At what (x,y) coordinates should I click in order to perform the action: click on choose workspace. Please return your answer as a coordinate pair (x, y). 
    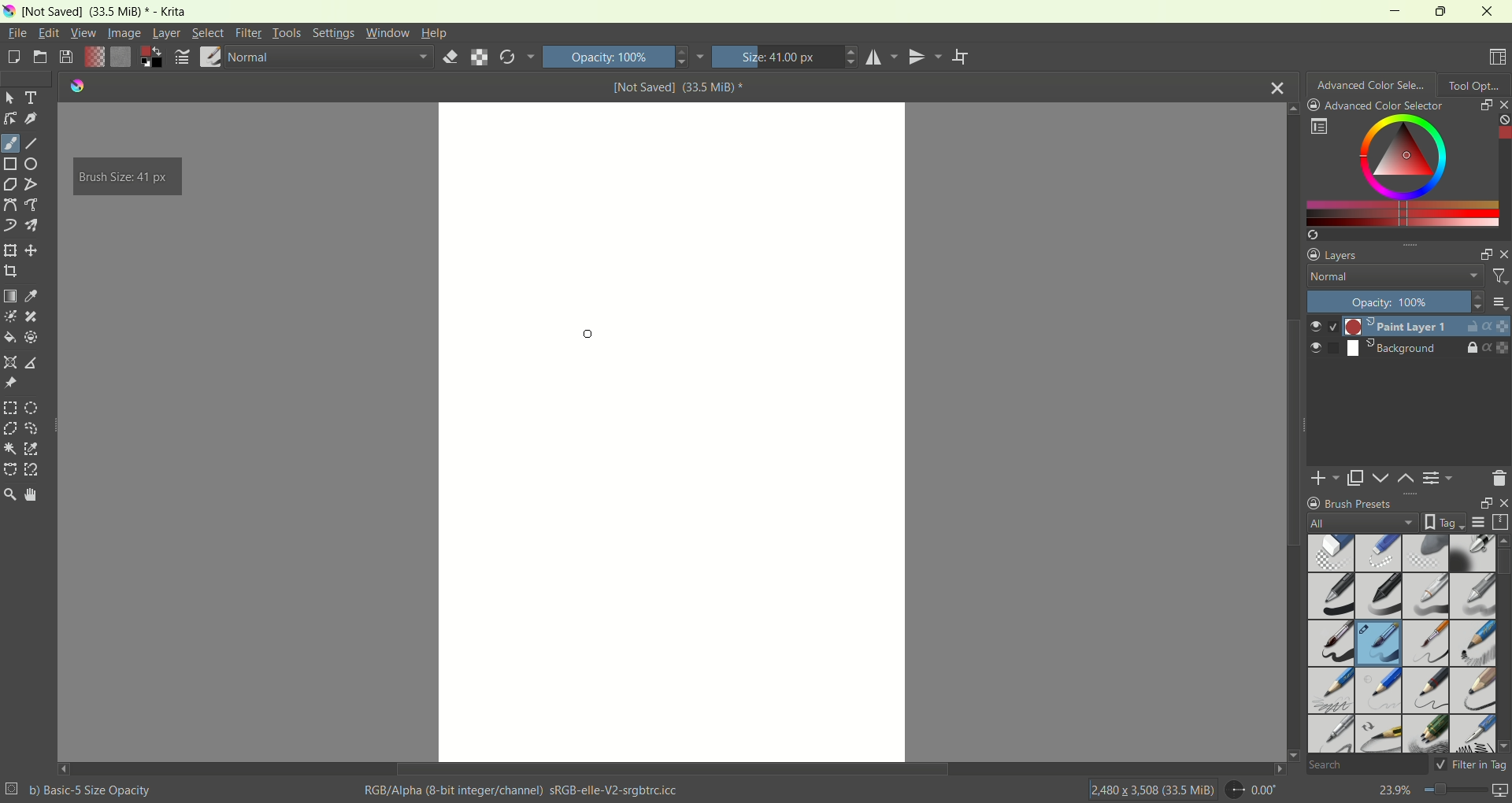
    Looking at the image, I should click on (1499, 57).